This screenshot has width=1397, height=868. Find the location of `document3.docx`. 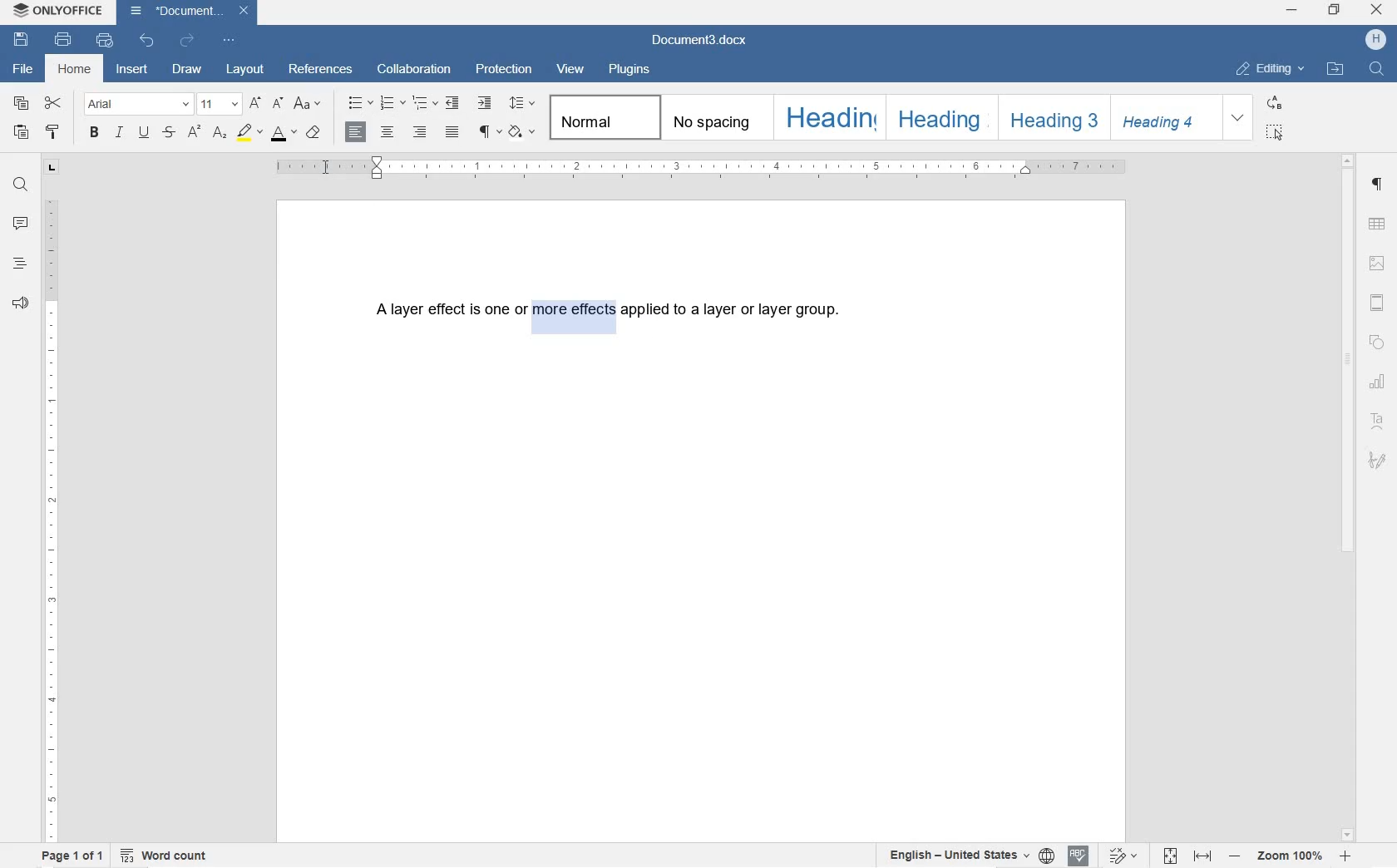

document3.docx is located at coordinates (703, 41).